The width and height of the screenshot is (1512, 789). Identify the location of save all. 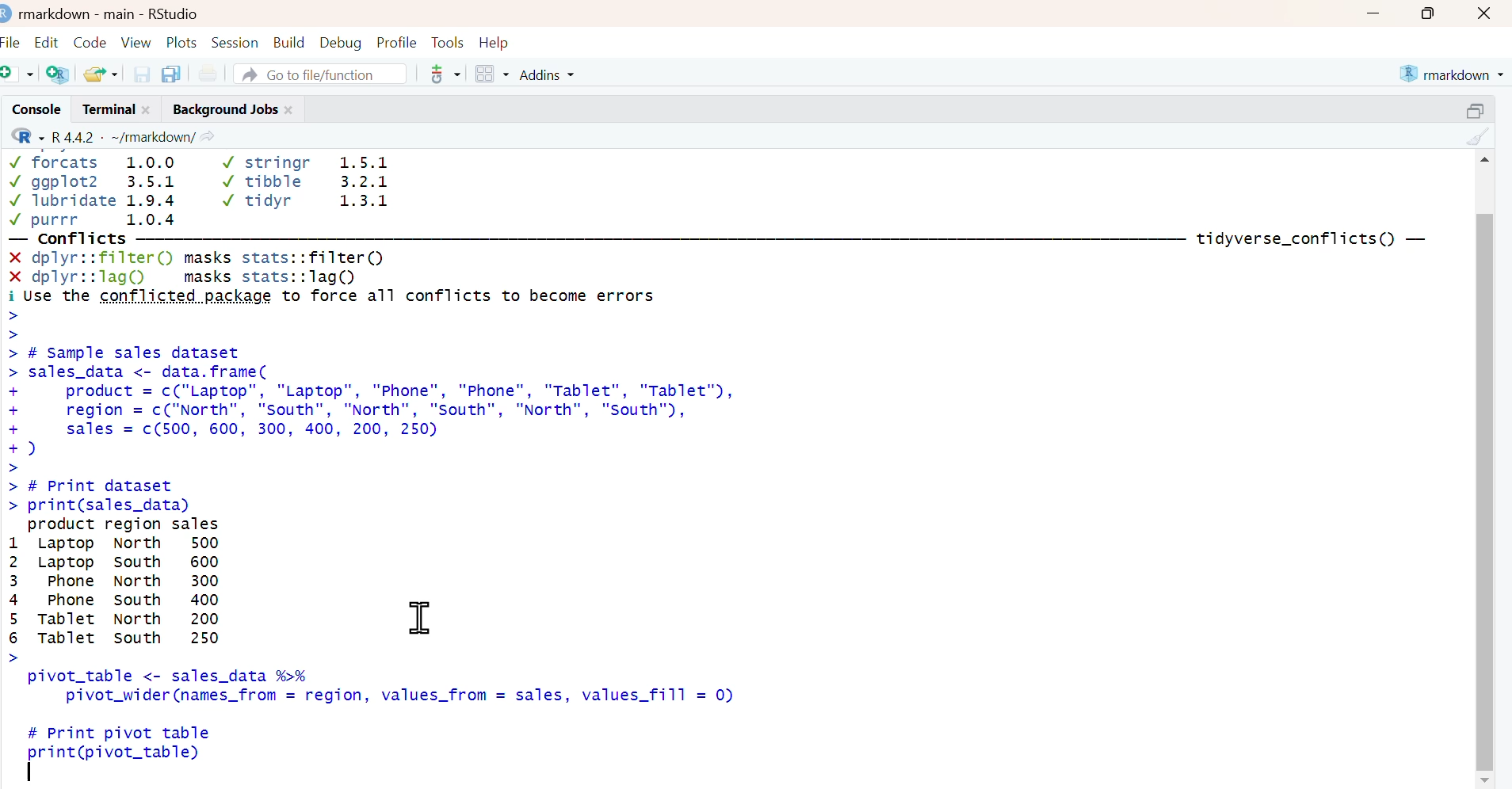
(170, 73).